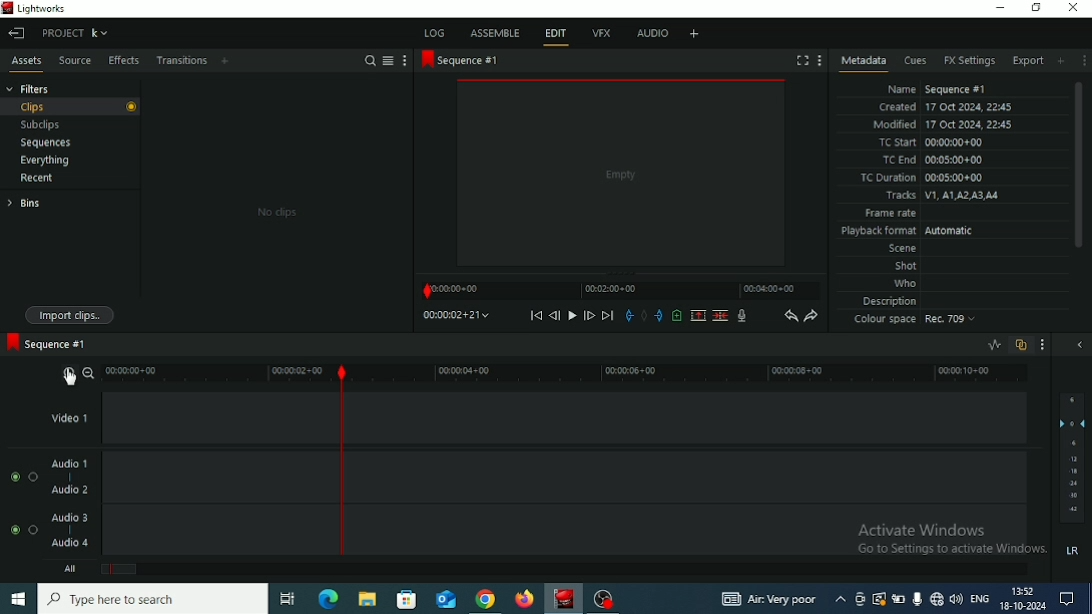 The height and width of the screenshot is (614, 1092). Describe the element at coordinates (33, 477) in the screenshot. I see `Solo this track` at that location.